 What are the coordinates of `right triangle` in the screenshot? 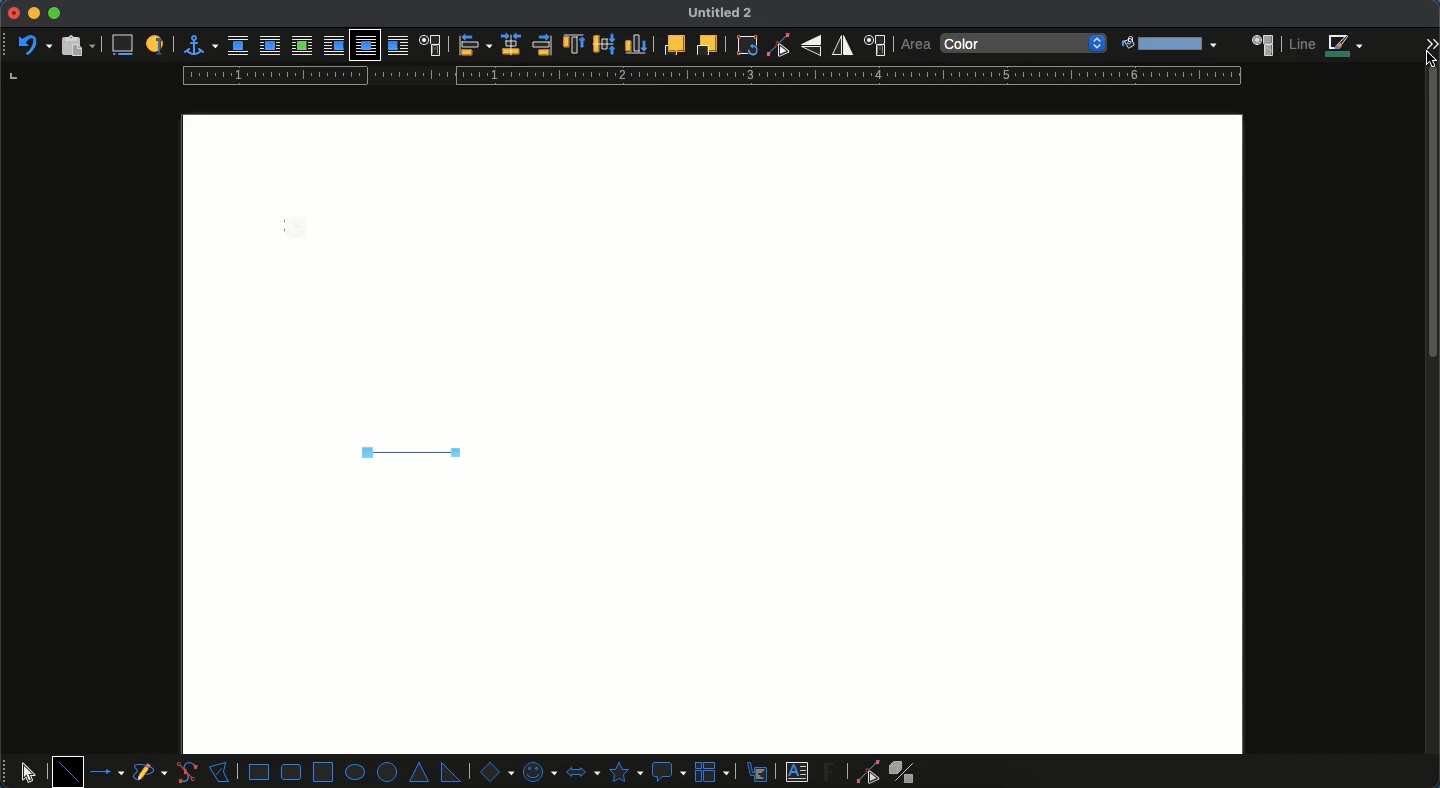 It's located at (450, 771).